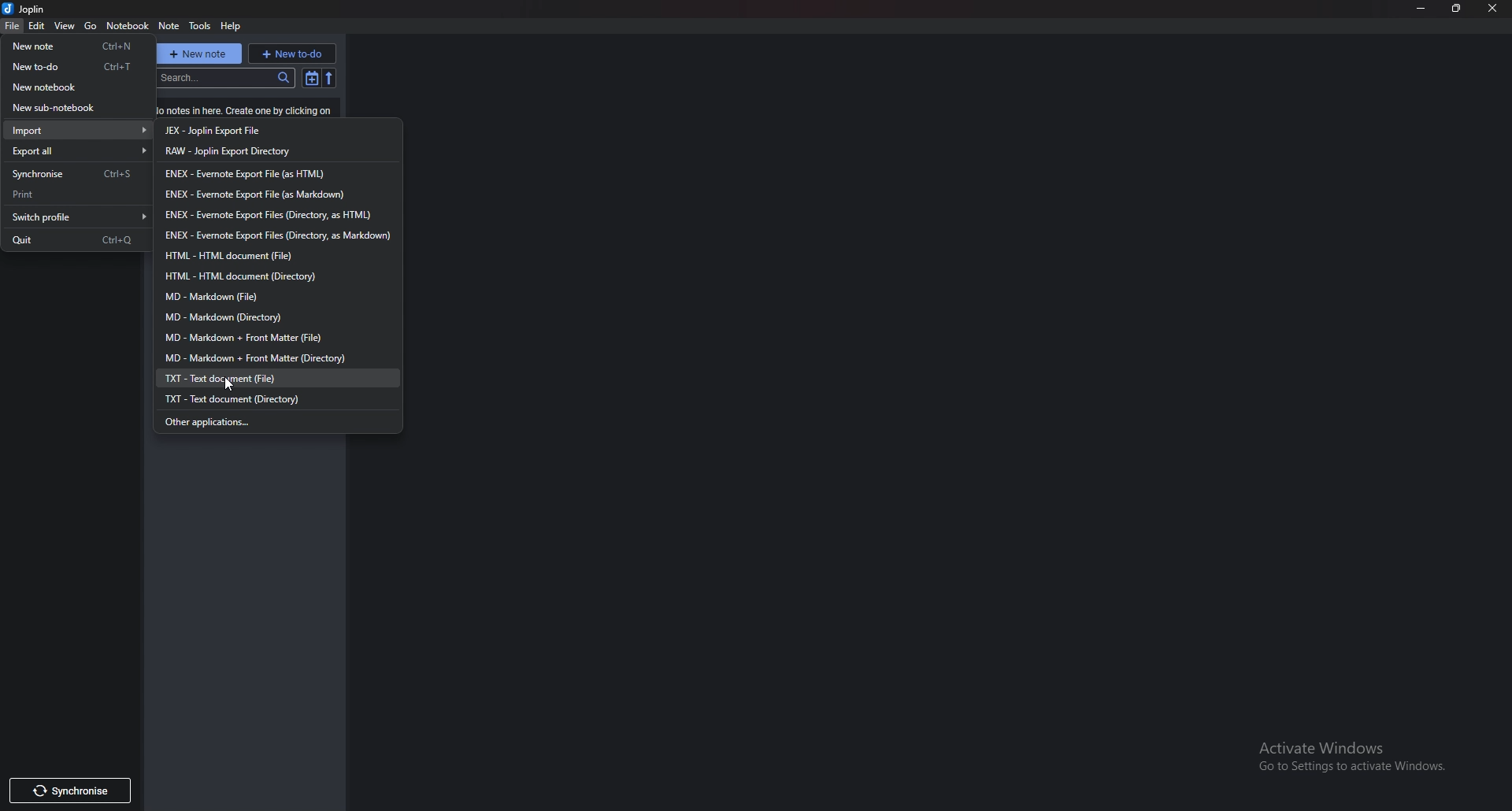 Image resolution: width=1512 pixels, height=811 pixels. Describe the element at coordinates (229, 380) in the screenshot. I see `Cursor` at that location.